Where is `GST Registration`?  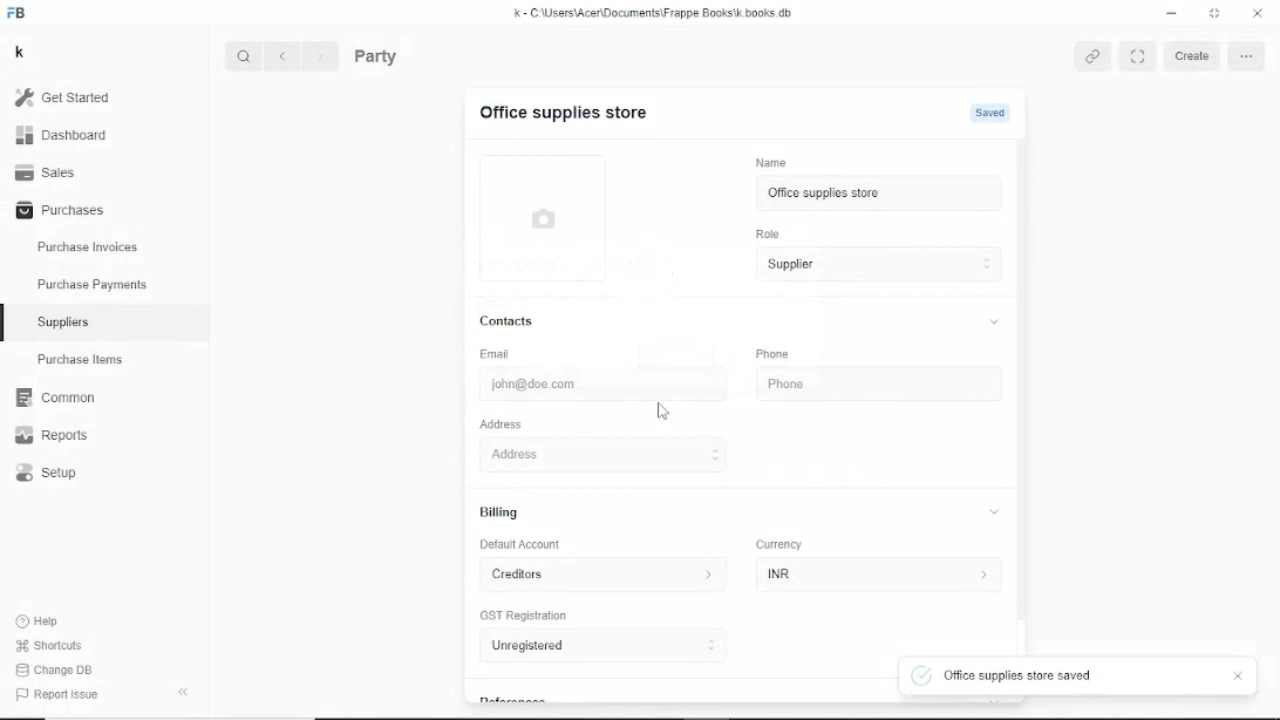 GST Registration is located at coordinates (526, 617).